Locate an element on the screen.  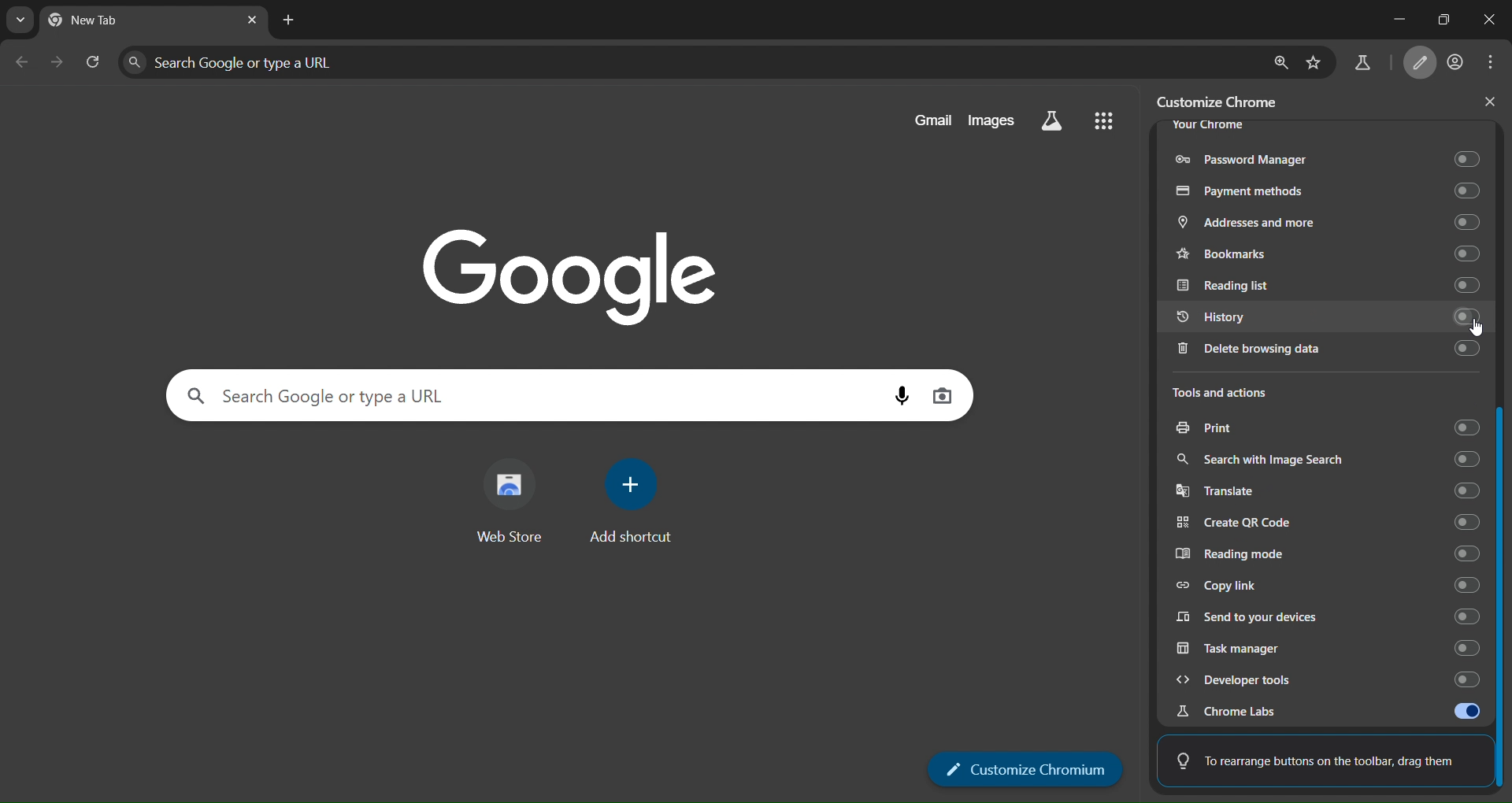
restore down is located at coordinates (1437, 18).